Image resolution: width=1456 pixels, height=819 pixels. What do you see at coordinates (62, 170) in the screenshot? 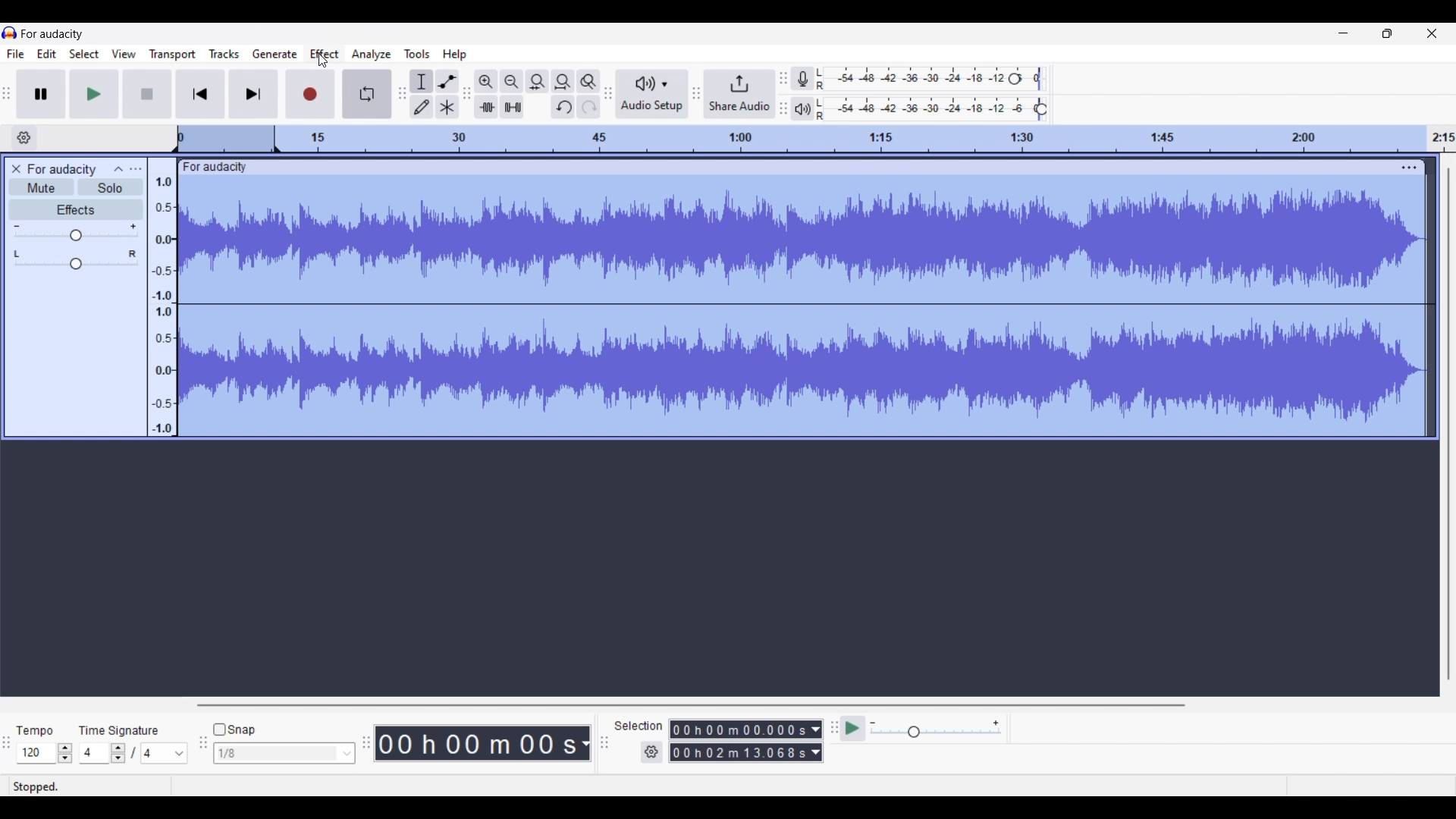
I see `Audio track name` at bounding box center [62, 170].